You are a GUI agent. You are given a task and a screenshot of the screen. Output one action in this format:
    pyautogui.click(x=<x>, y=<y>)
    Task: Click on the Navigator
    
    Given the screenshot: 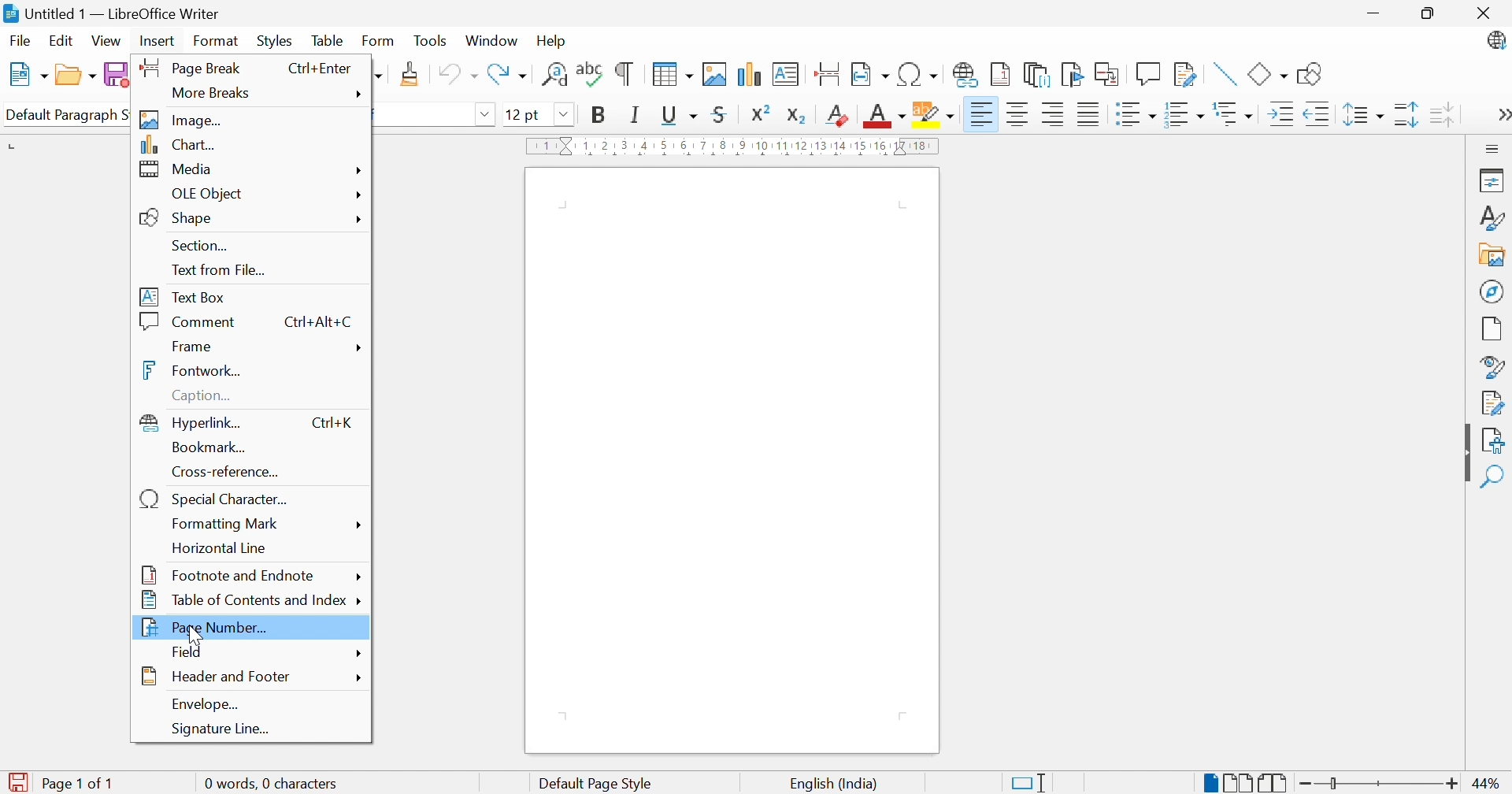 What is the action you would take?
    pyautogui.click(x=1494, y=293)
    